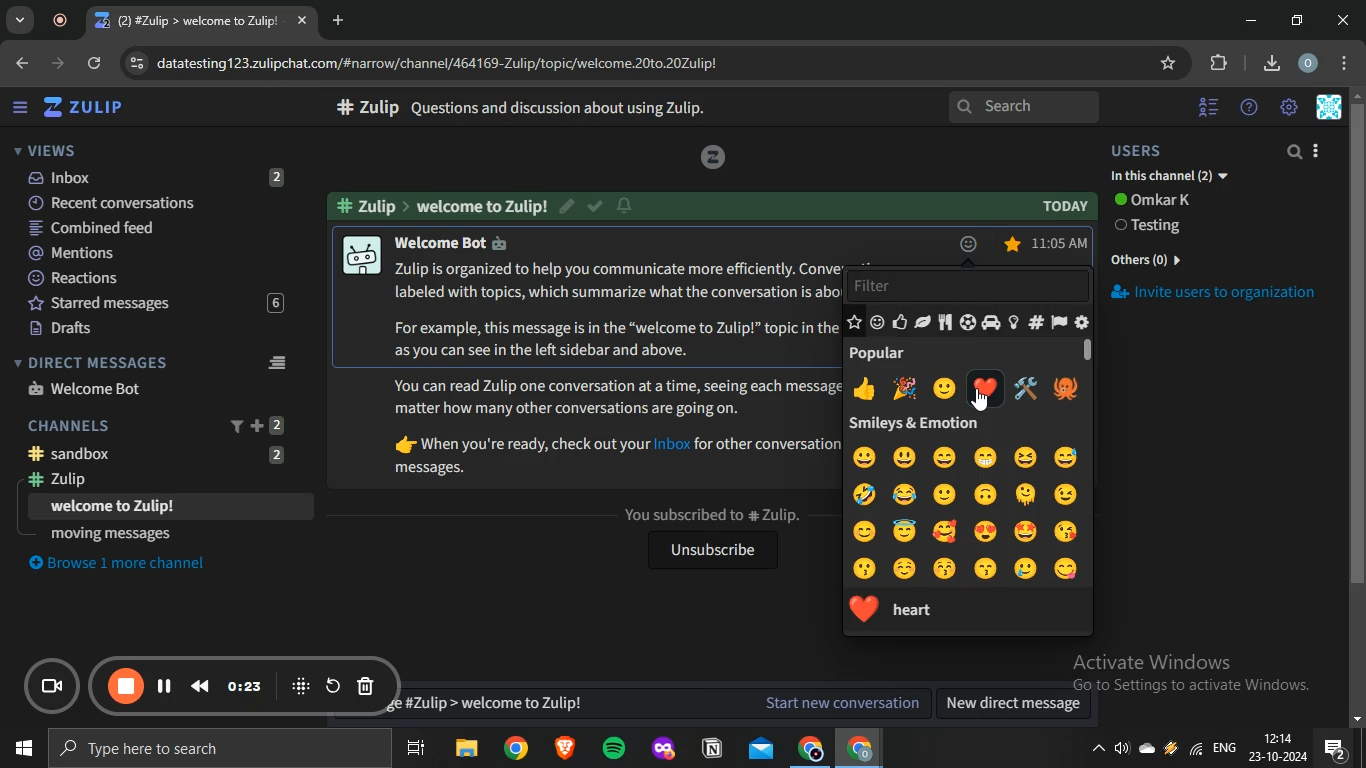 This screenshot has width=1366, height=768. What do you see at coordinates (613, 750) in the screenshot?
I see `spotify` at bounding box center [613, 750].